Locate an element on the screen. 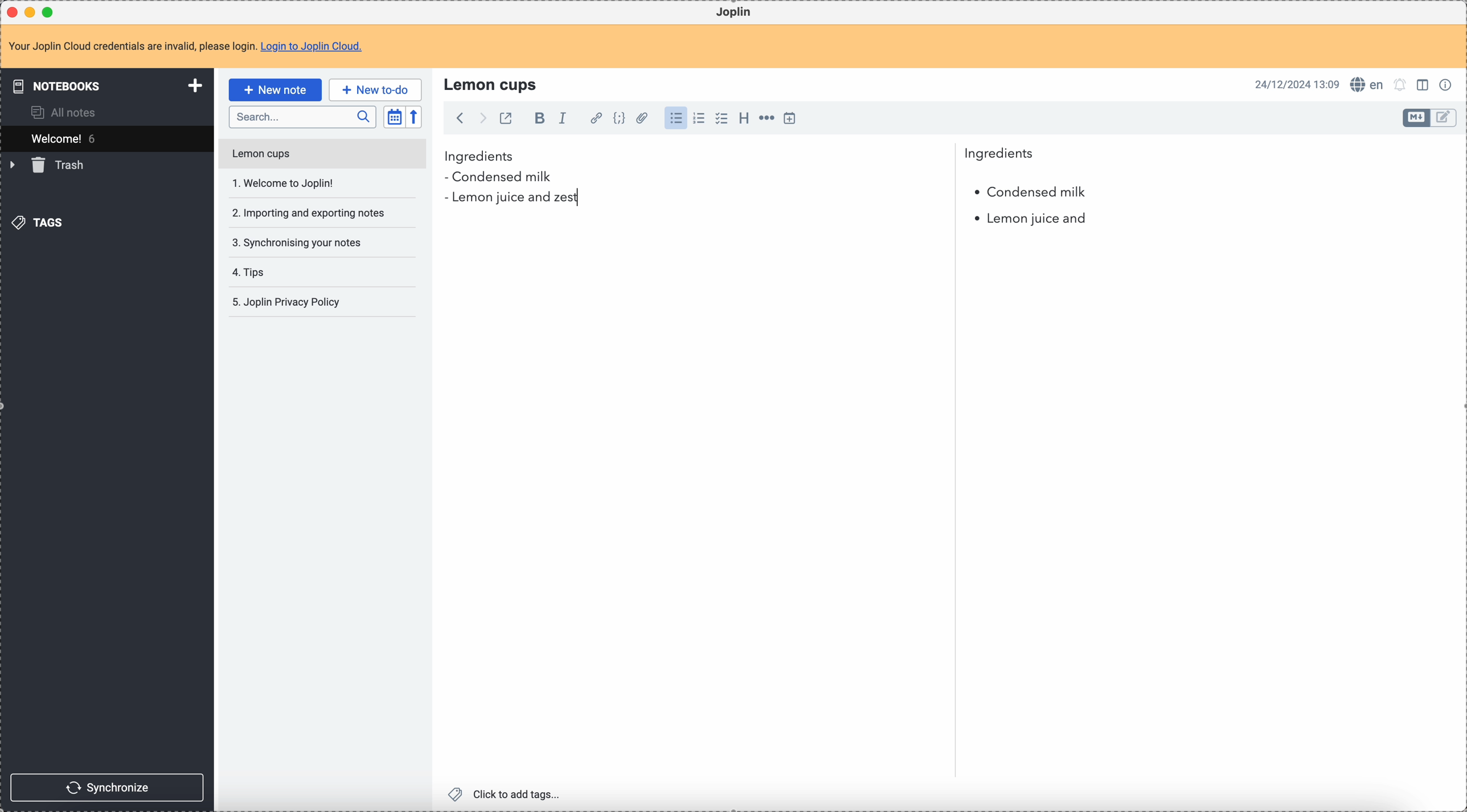  notebooks is located at coordinates (109, 85).